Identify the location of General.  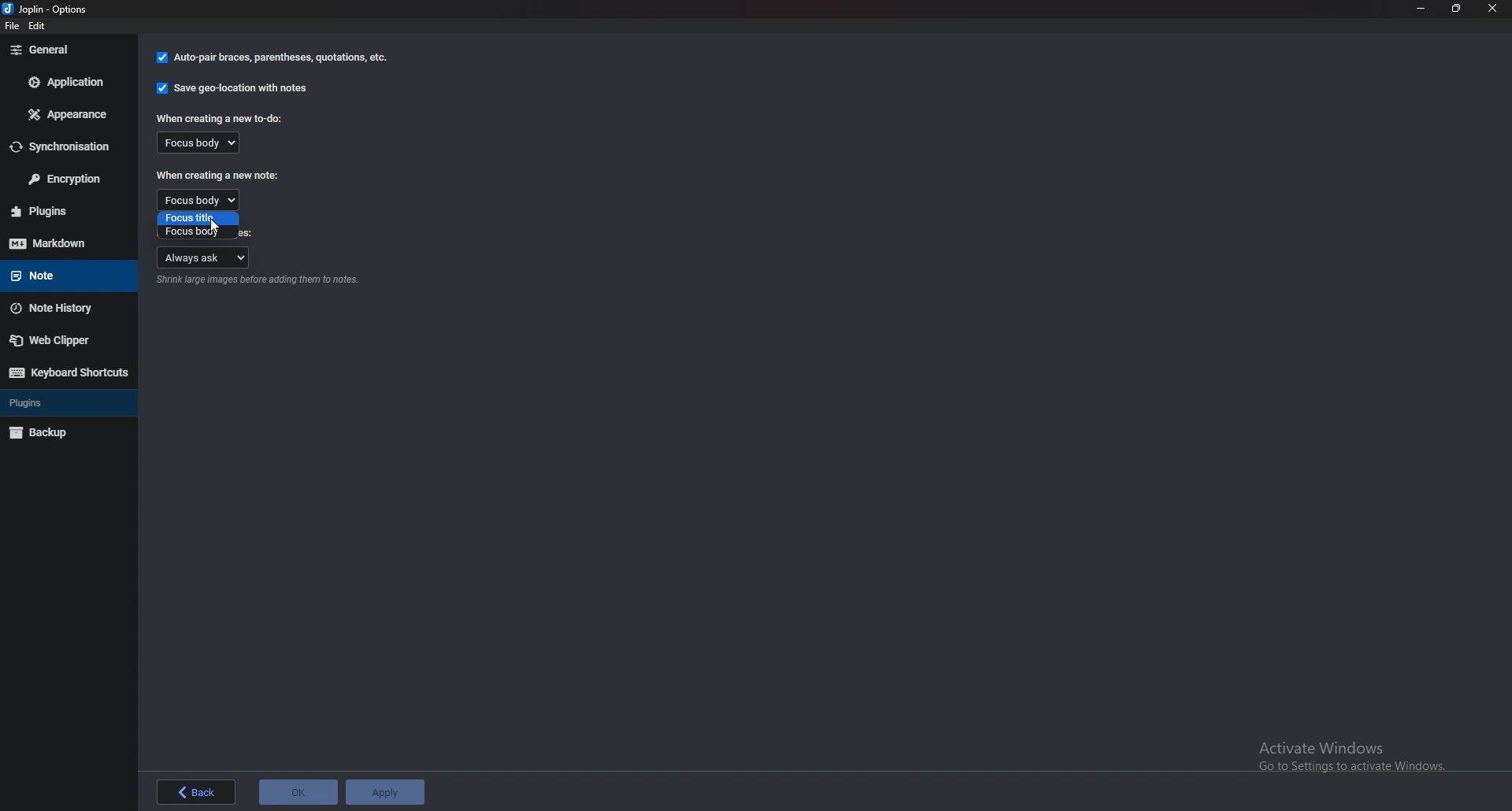
(63, 50).